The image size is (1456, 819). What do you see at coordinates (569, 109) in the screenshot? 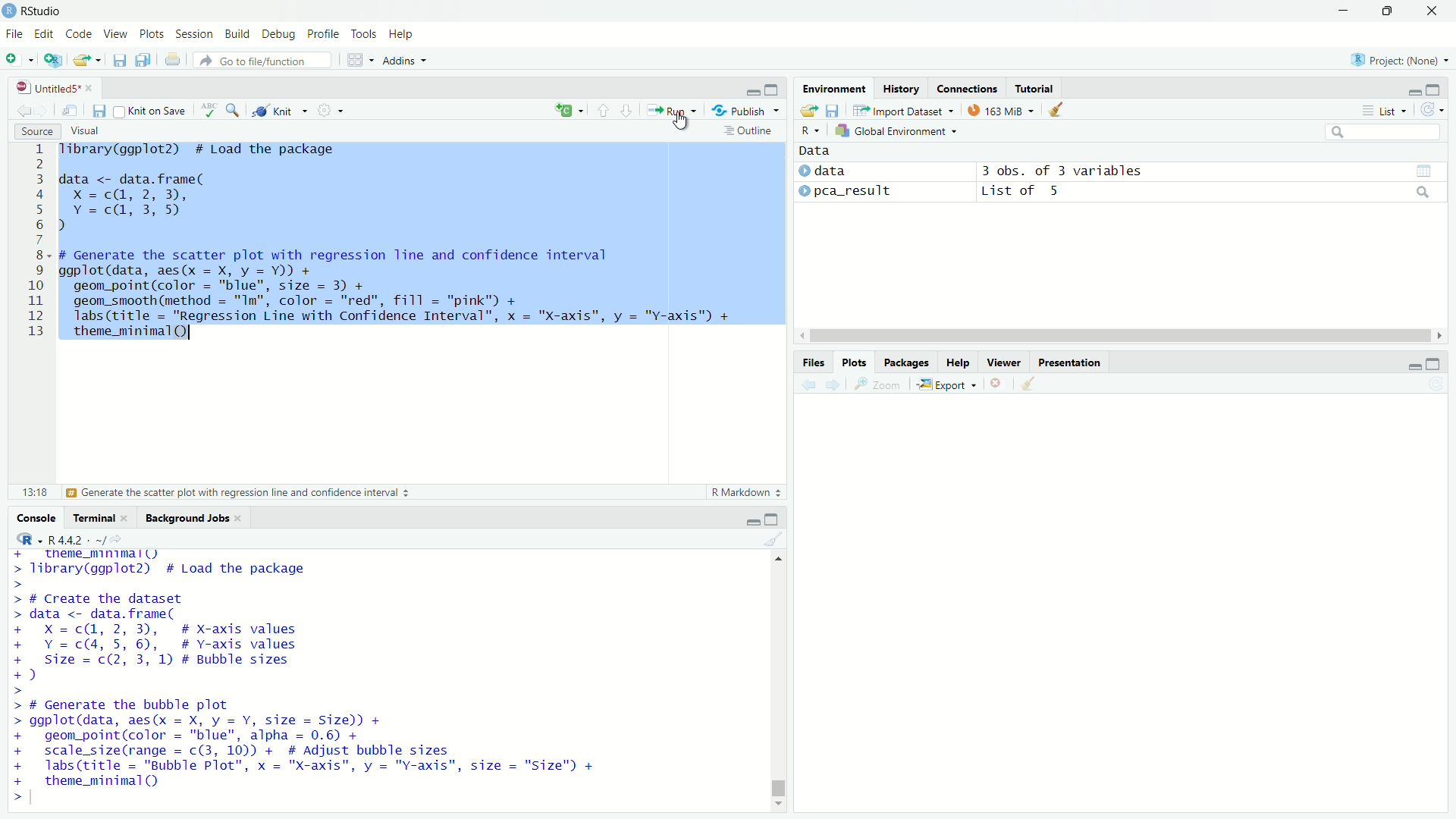
I see `insert a new code/chunk` at bounding box center [569, 109].